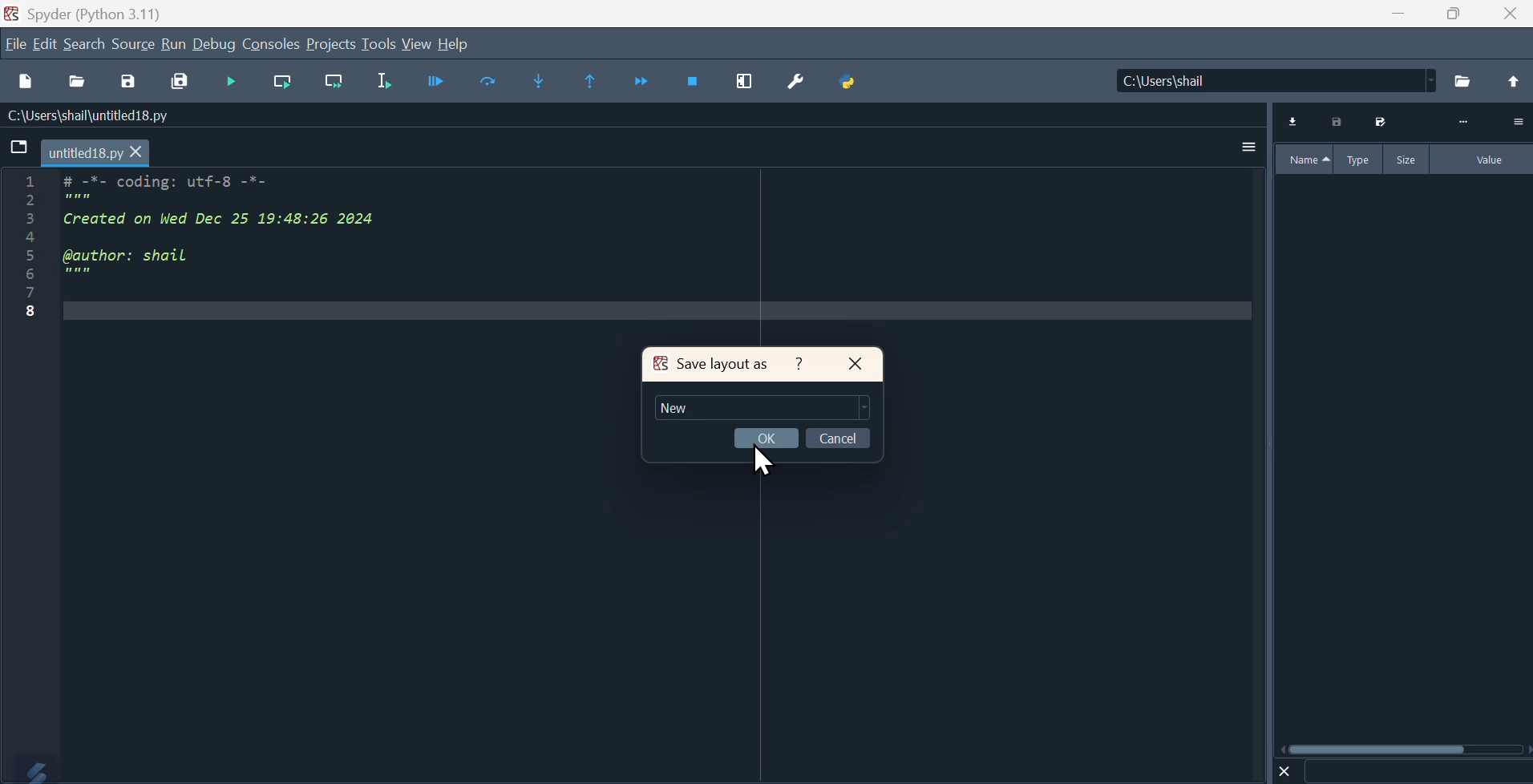 The image size is (1533, 784). What do you see at coordinates (743, 83) in the screenshot?
I see `Maximise current window` at bounding box center [743, 83].